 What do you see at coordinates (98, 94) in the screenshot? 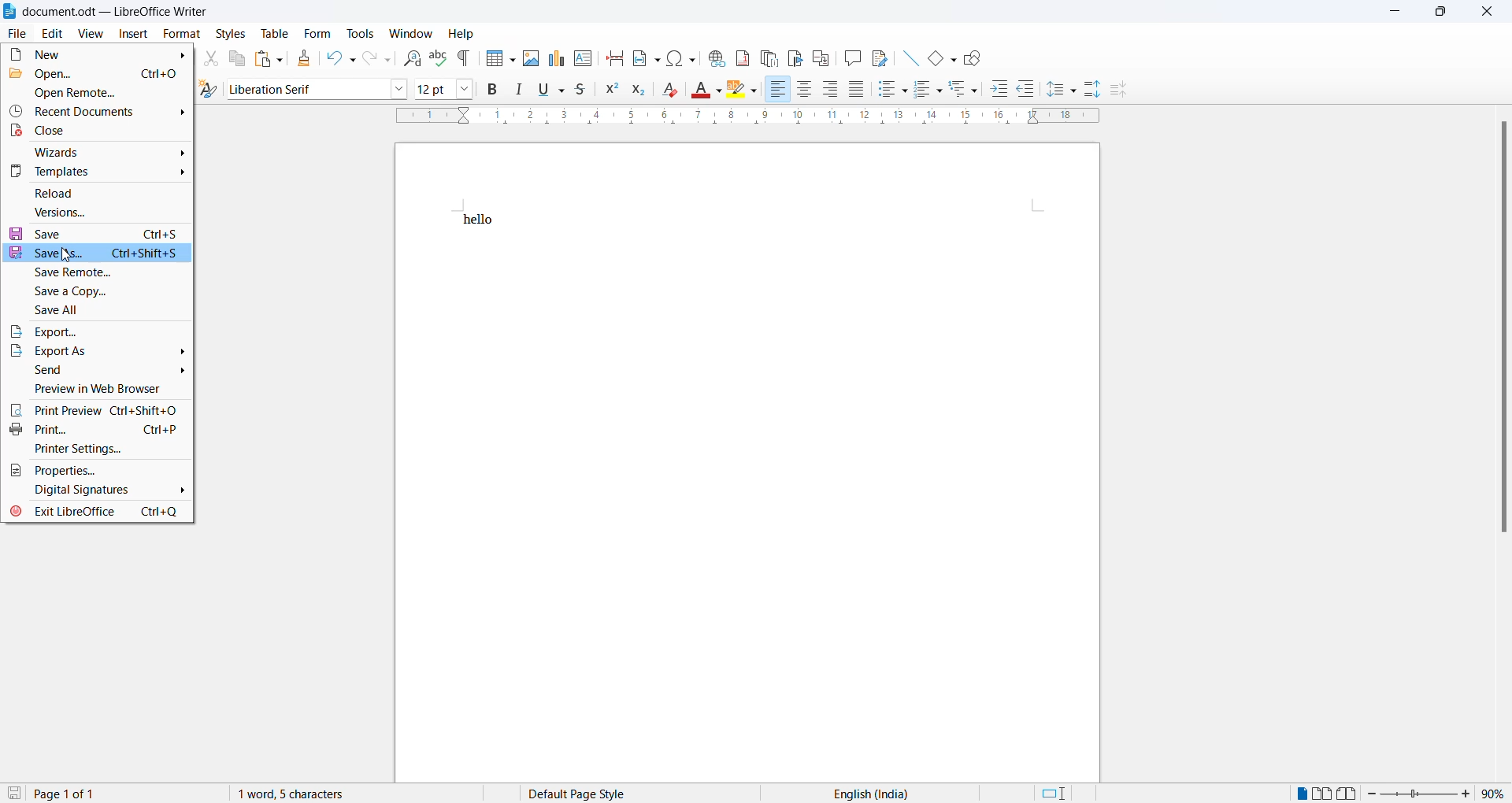
I see `Open remote` at bounding box center [98, 94].